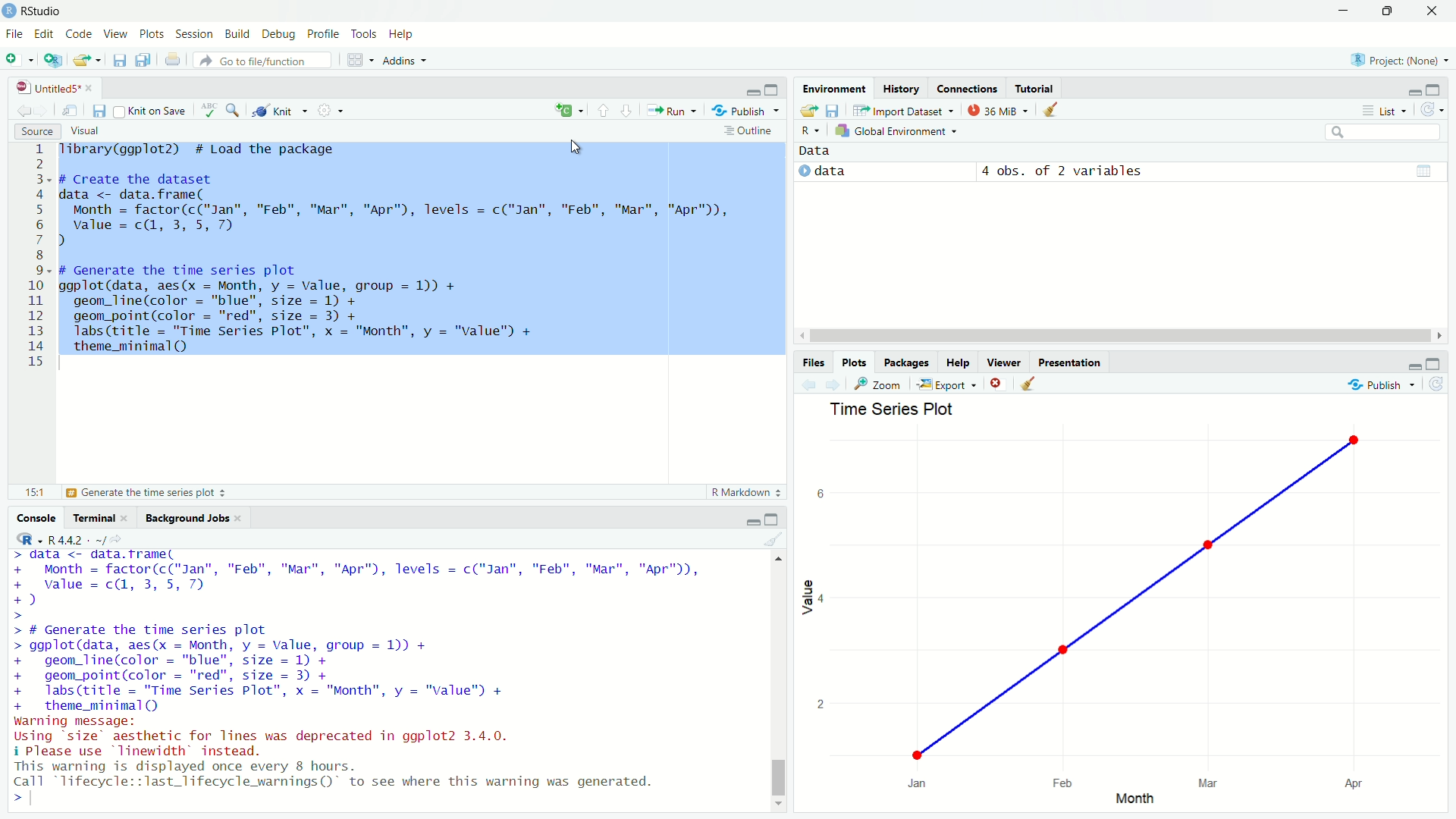 Image resolution: width=1456 pixels, height=819 pixels. Describe the element at coordinates (1053, 111) in the screenshot. I see `clear objects from the workspace` at that location.